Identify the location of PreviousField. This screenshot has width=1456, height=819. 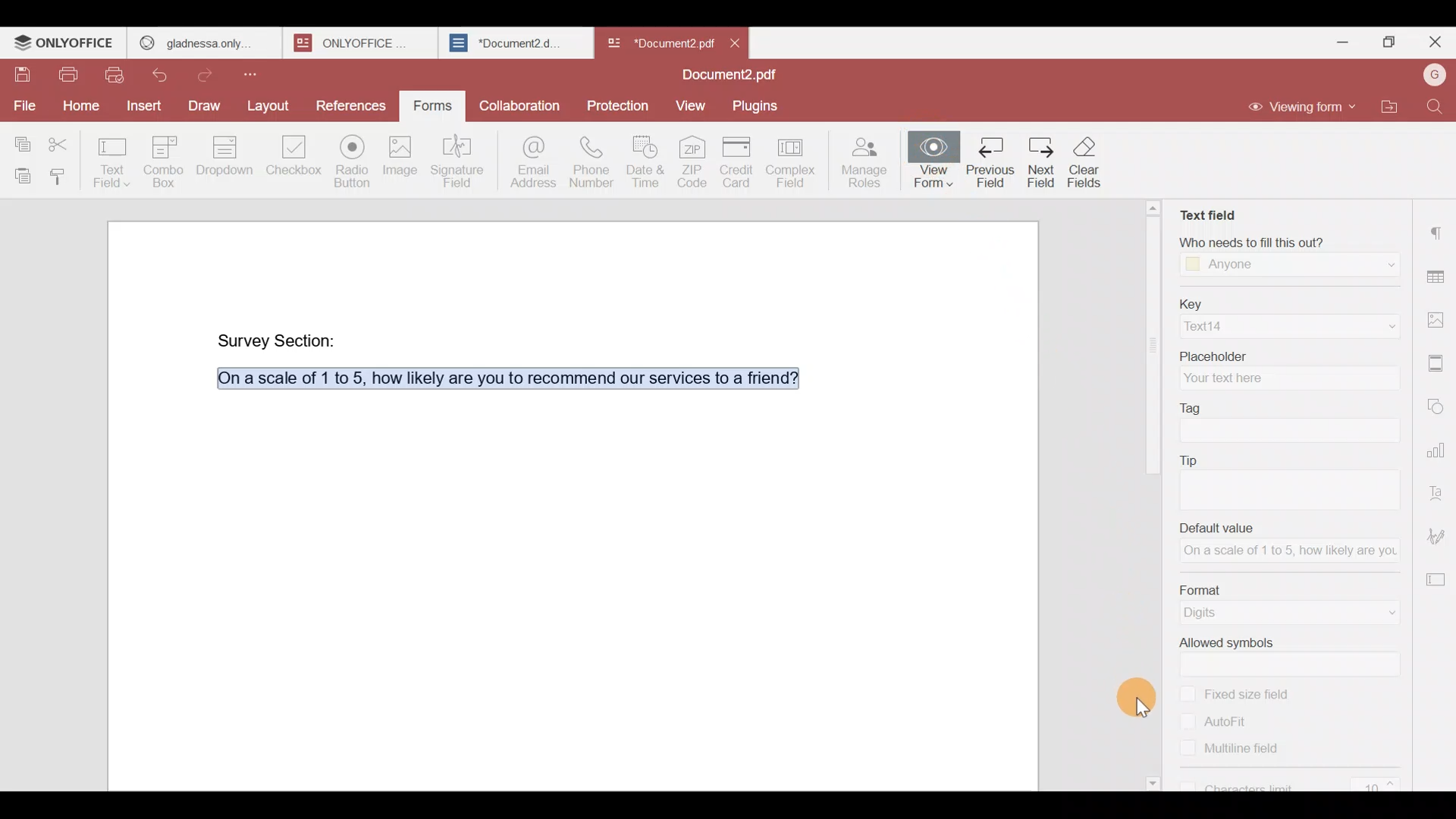
(989, 164).